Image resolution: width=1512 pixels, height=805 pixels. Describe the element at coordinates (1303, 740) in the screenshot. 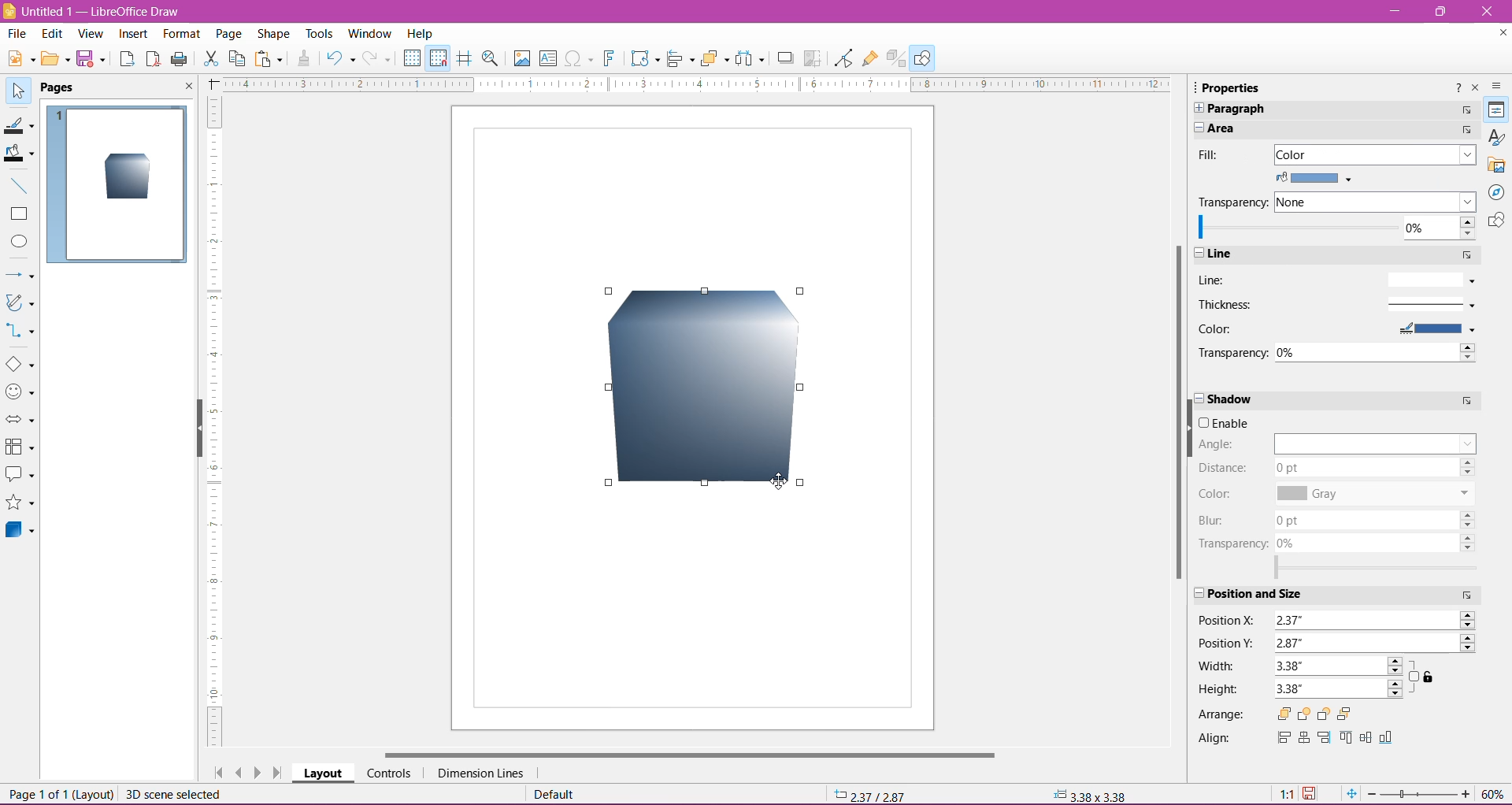

I see `Centered` at that location.